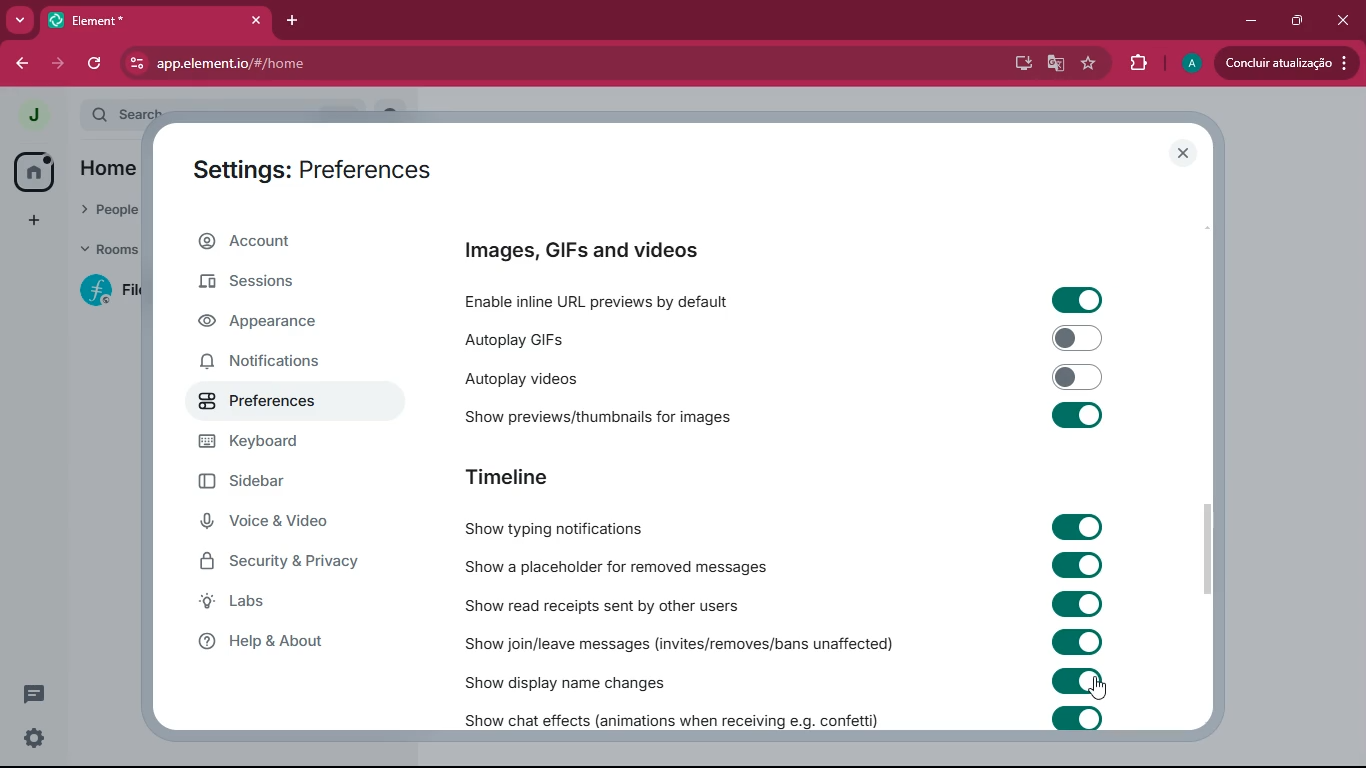 This screenshot has width=1366, height=768. I want to click on toggle on/off, so click(1079, 719).